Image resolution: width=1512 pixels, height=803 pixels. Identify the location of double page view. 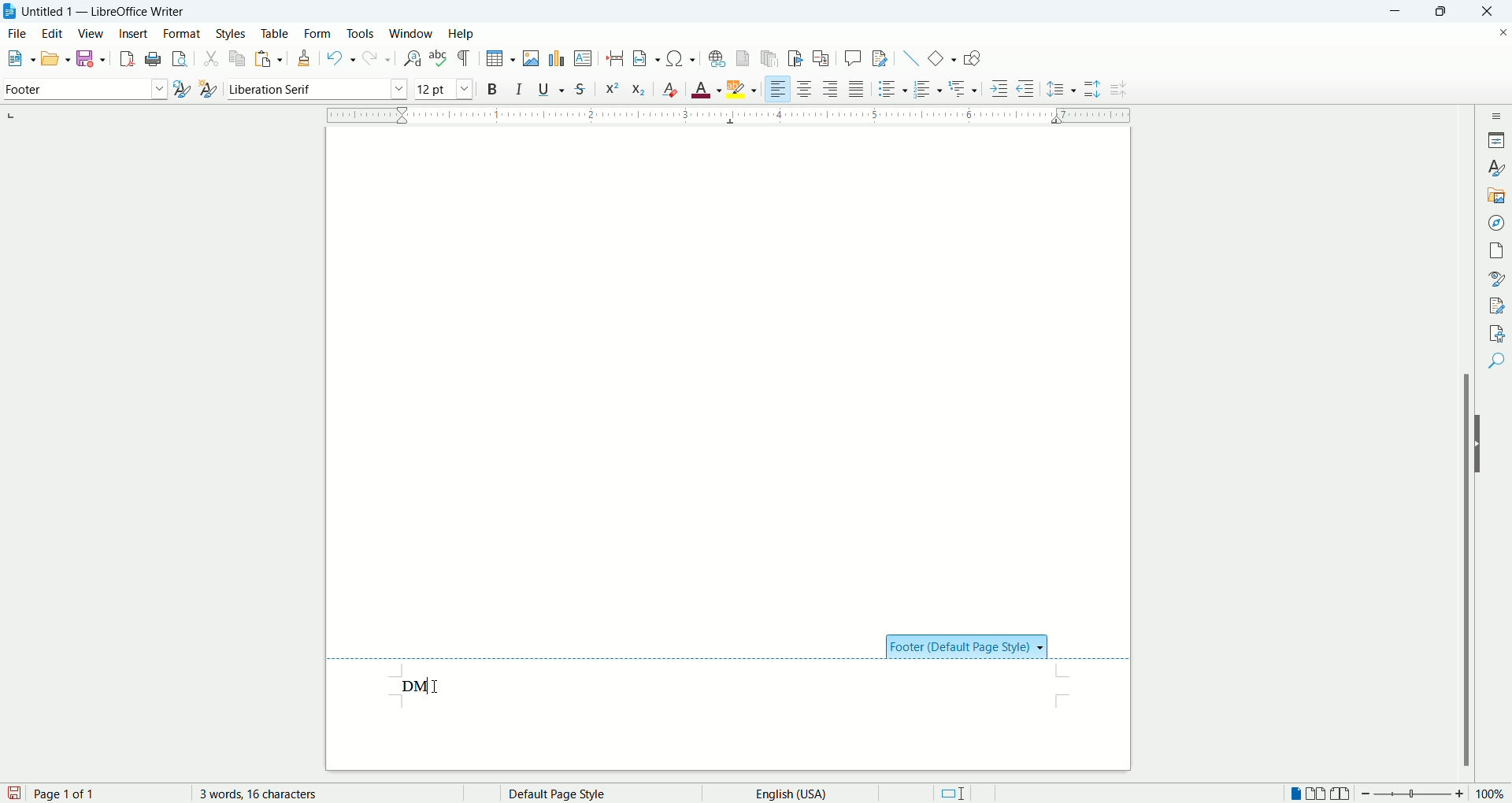
(1319, 794).